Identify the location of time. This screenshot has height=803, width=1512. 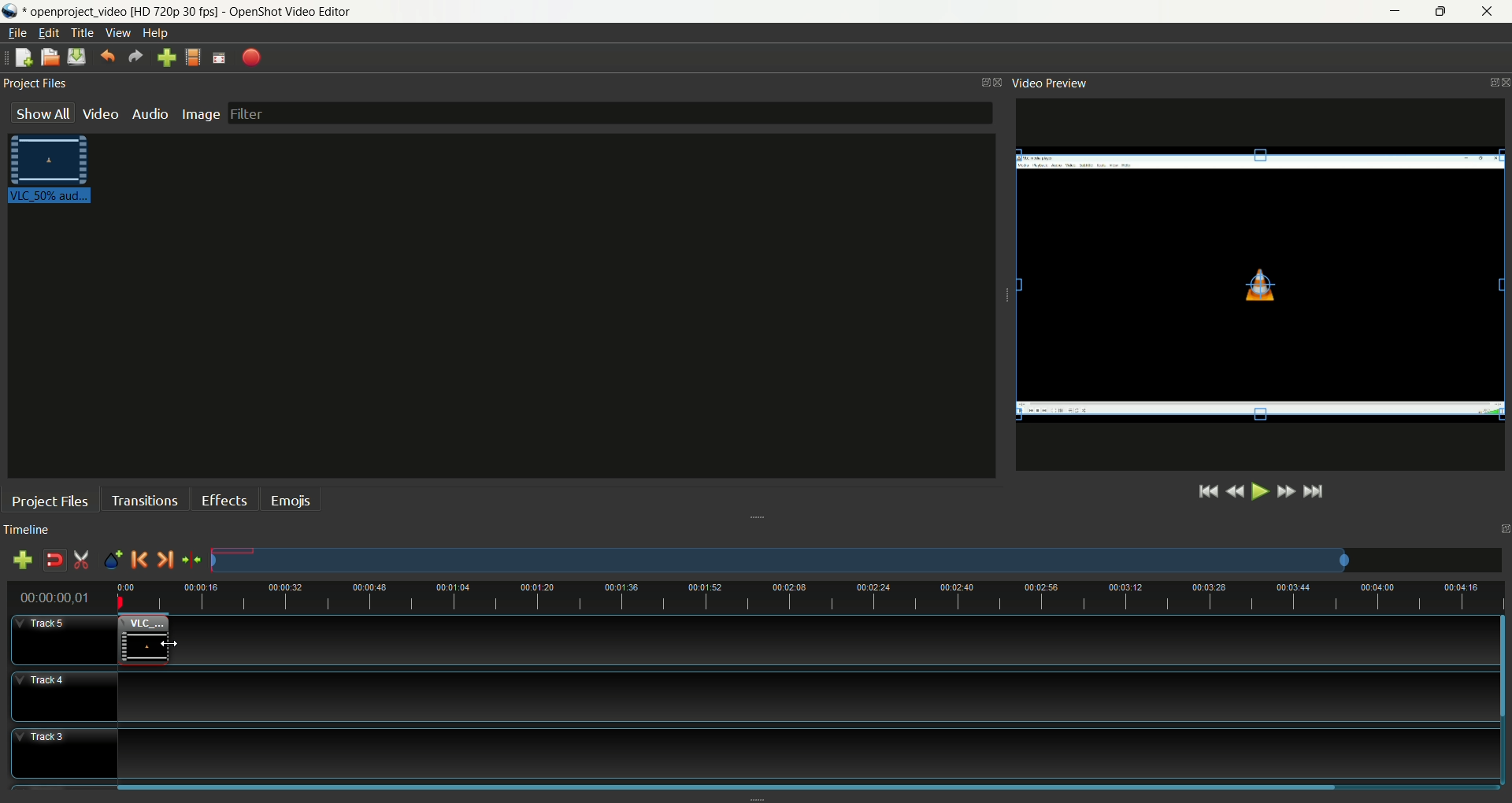
(60, 597).